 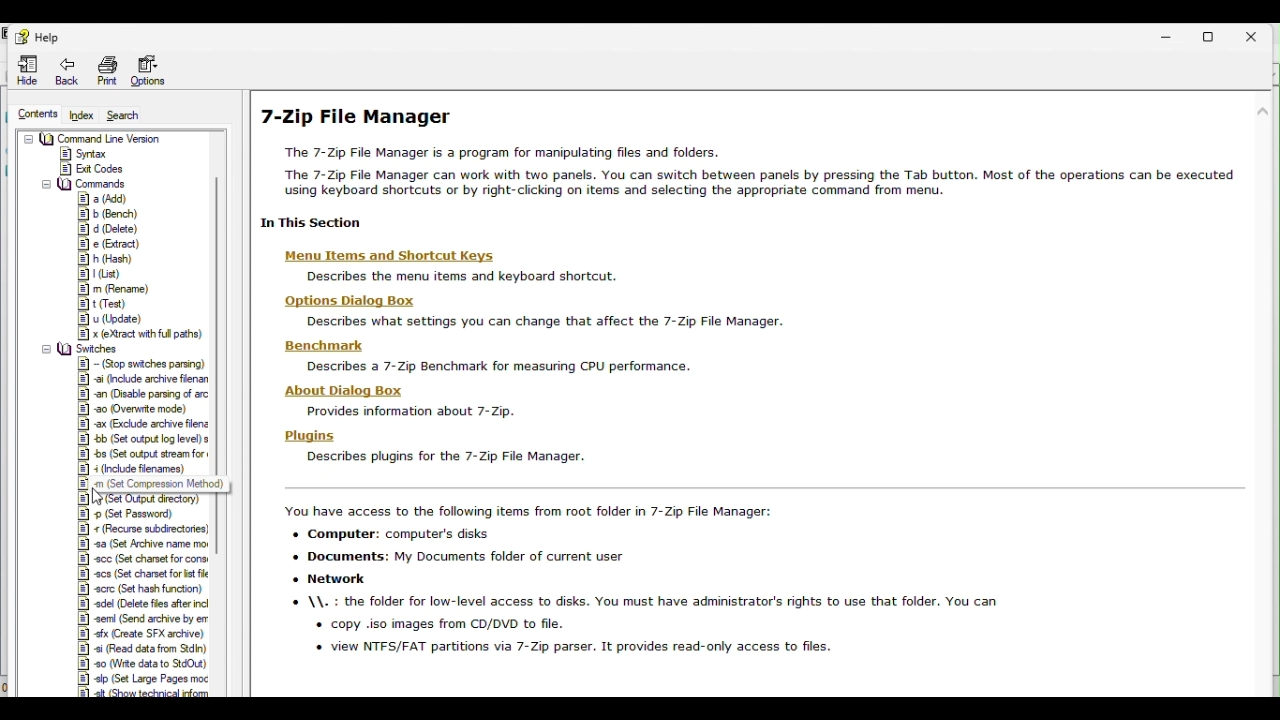 What do you see at coordinates (344, 301) in the screenshot?
I see `options dialog box` at bounding box center [344, 301].